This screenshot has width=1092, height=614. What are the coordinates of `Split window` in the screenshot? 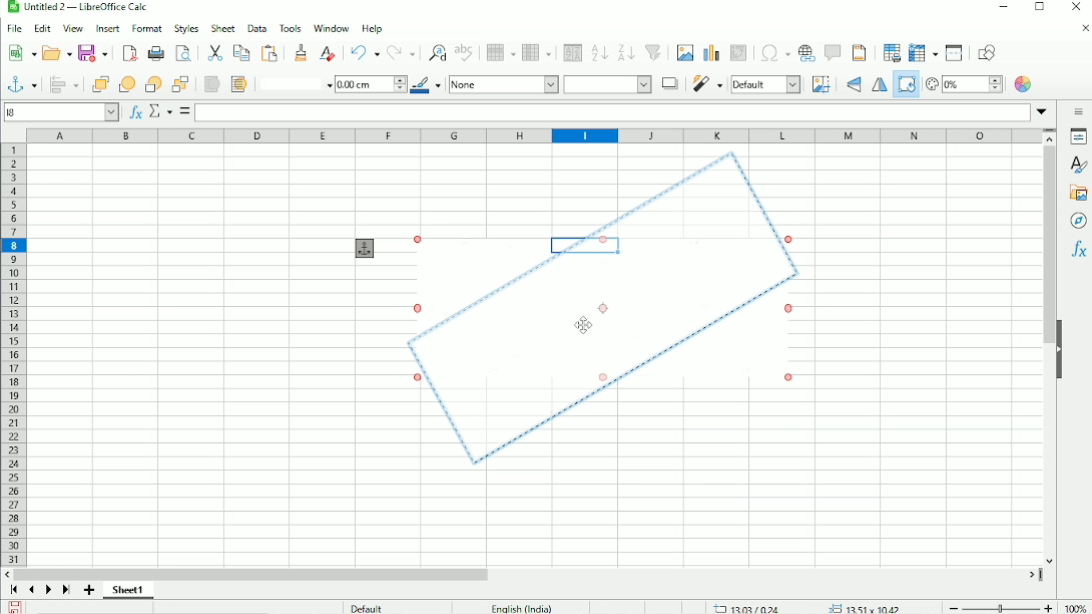 It's located at (954, 53).